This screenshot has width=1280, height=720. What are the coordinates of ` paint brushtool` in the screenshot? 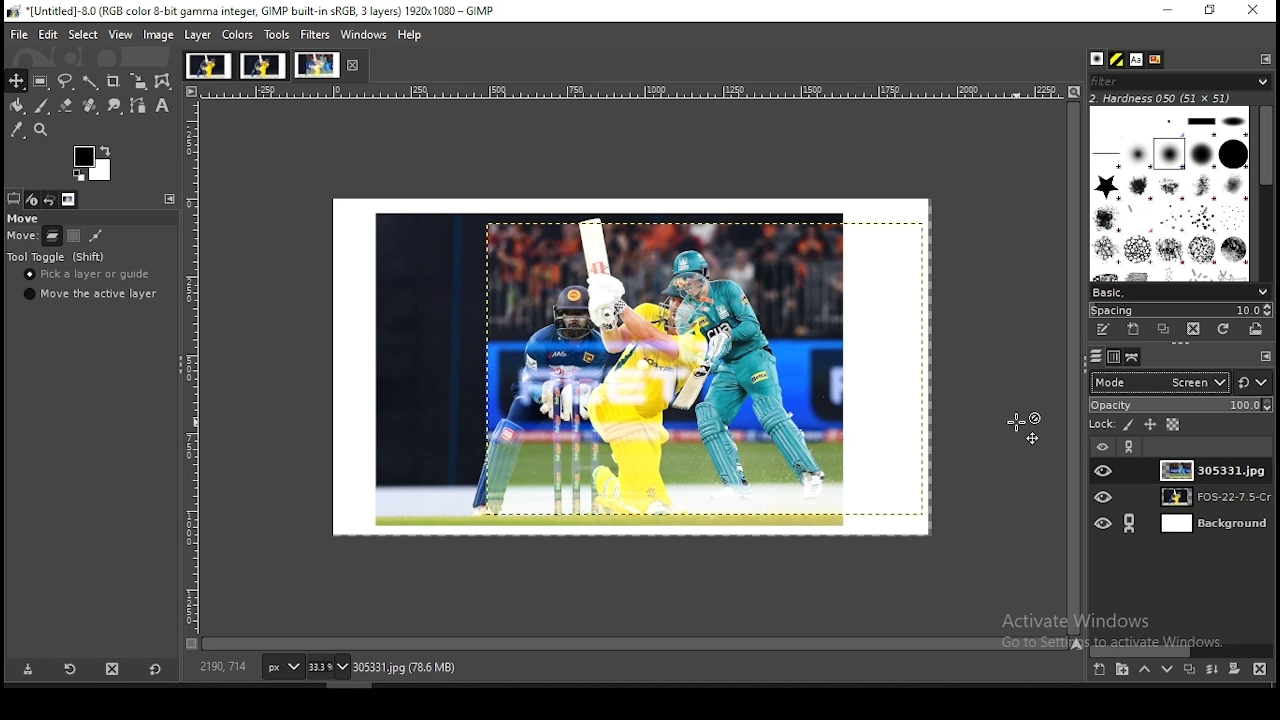 It's located at (42, 105).